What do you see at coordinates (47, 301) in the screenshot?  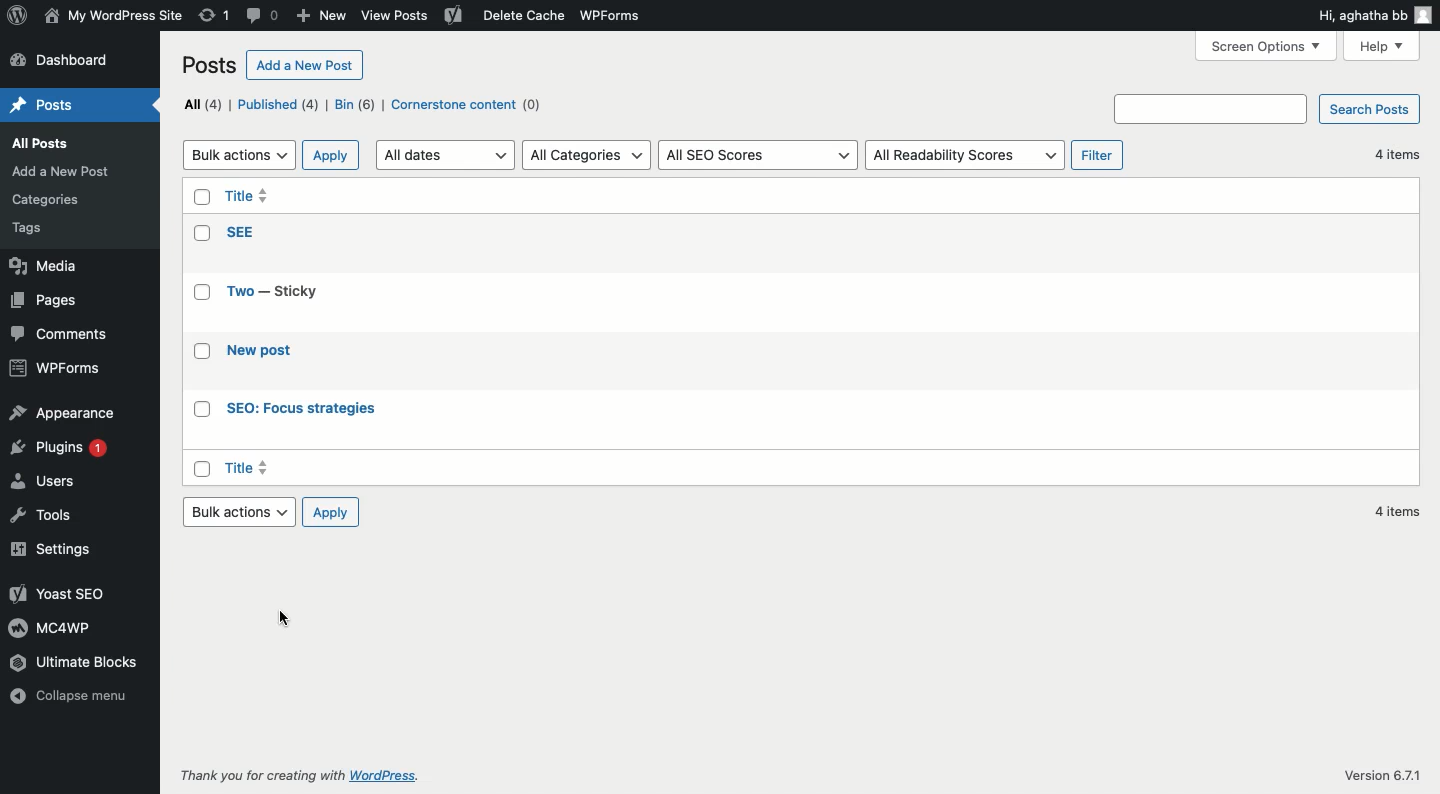 I see `Pages` at bounding box center [47, 301].